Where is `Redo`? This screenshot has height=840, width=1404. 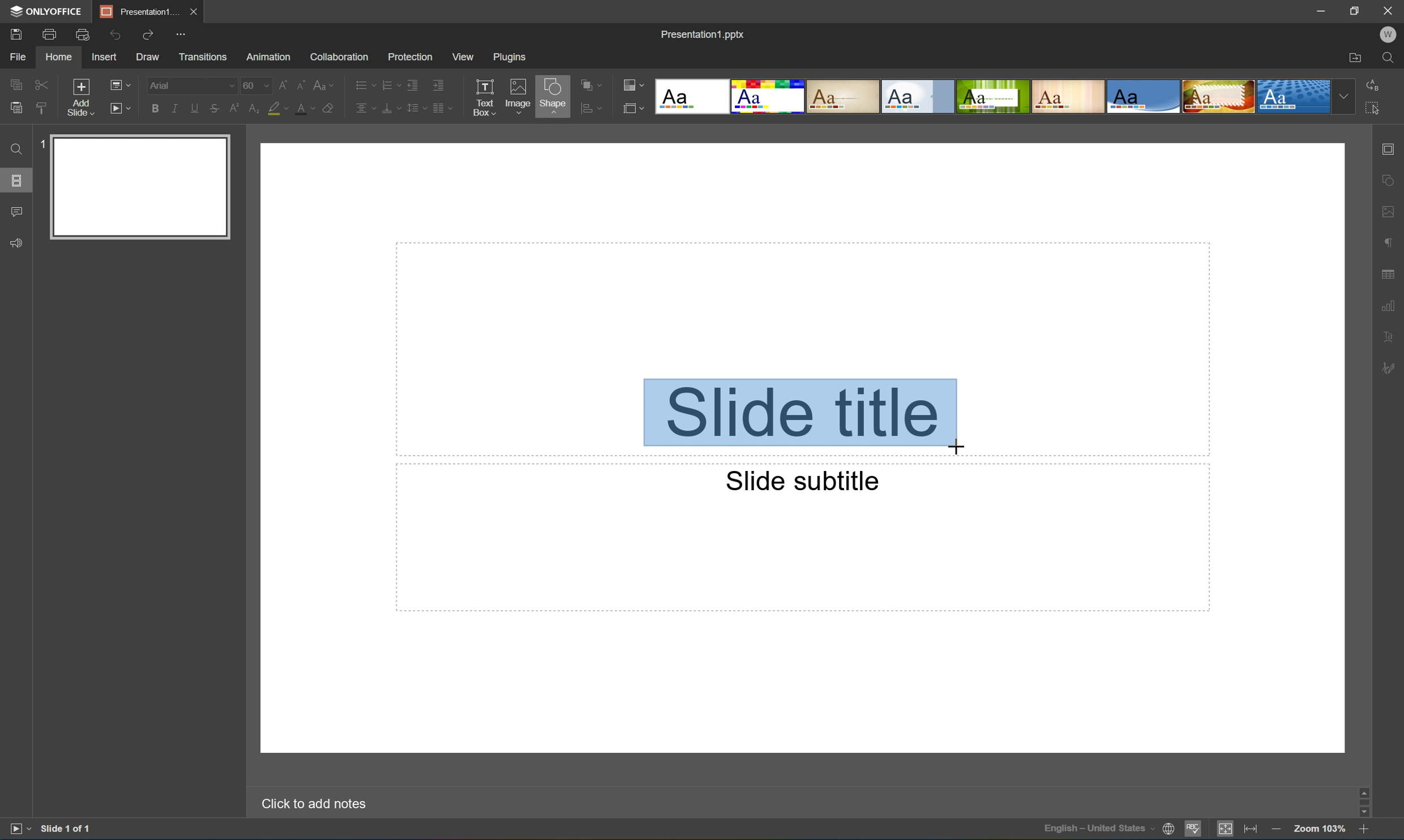 Redo is located at coordinates (148, 33).